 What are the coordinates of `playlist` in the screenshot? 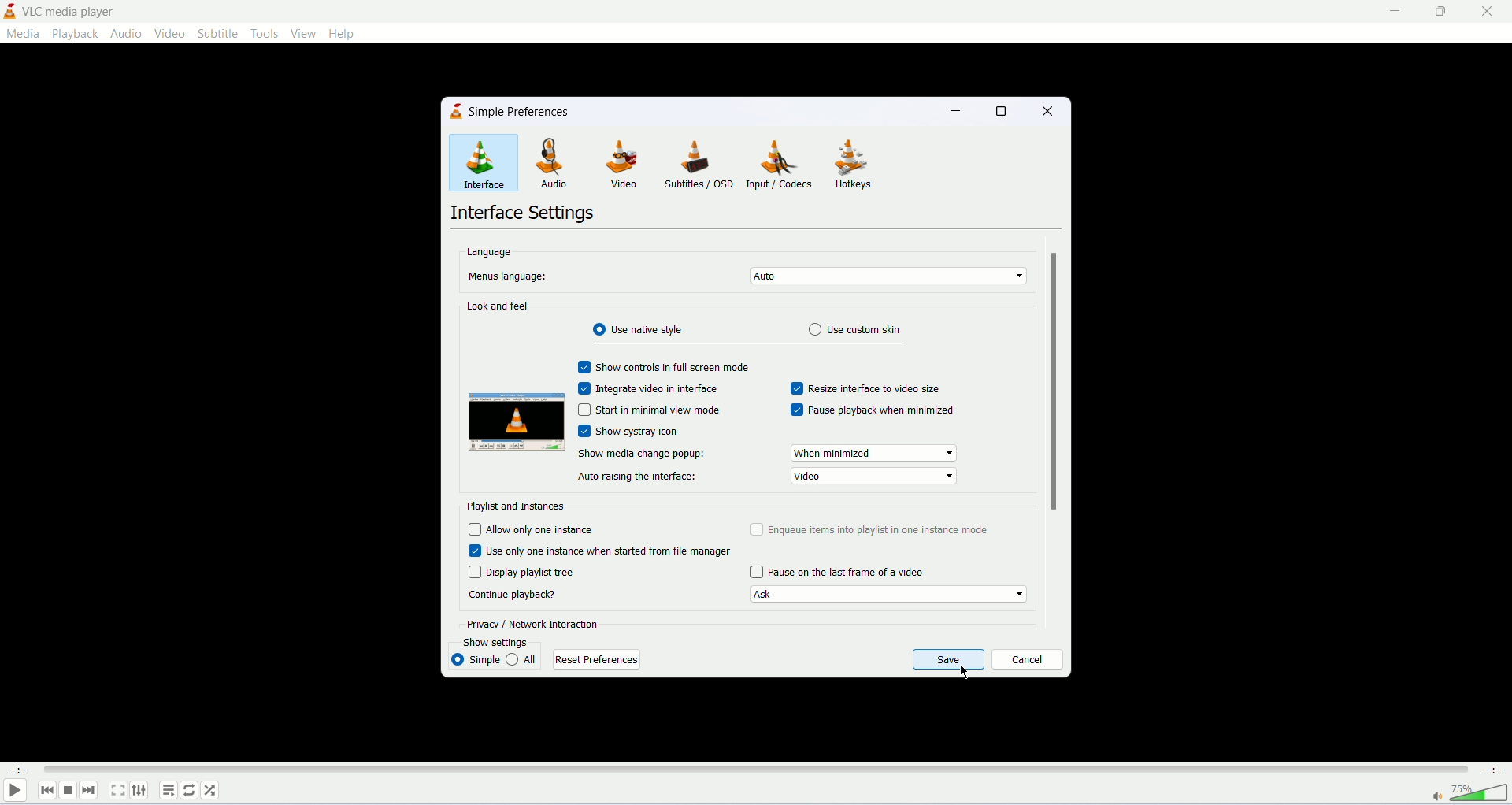 It's located at (167, 793).